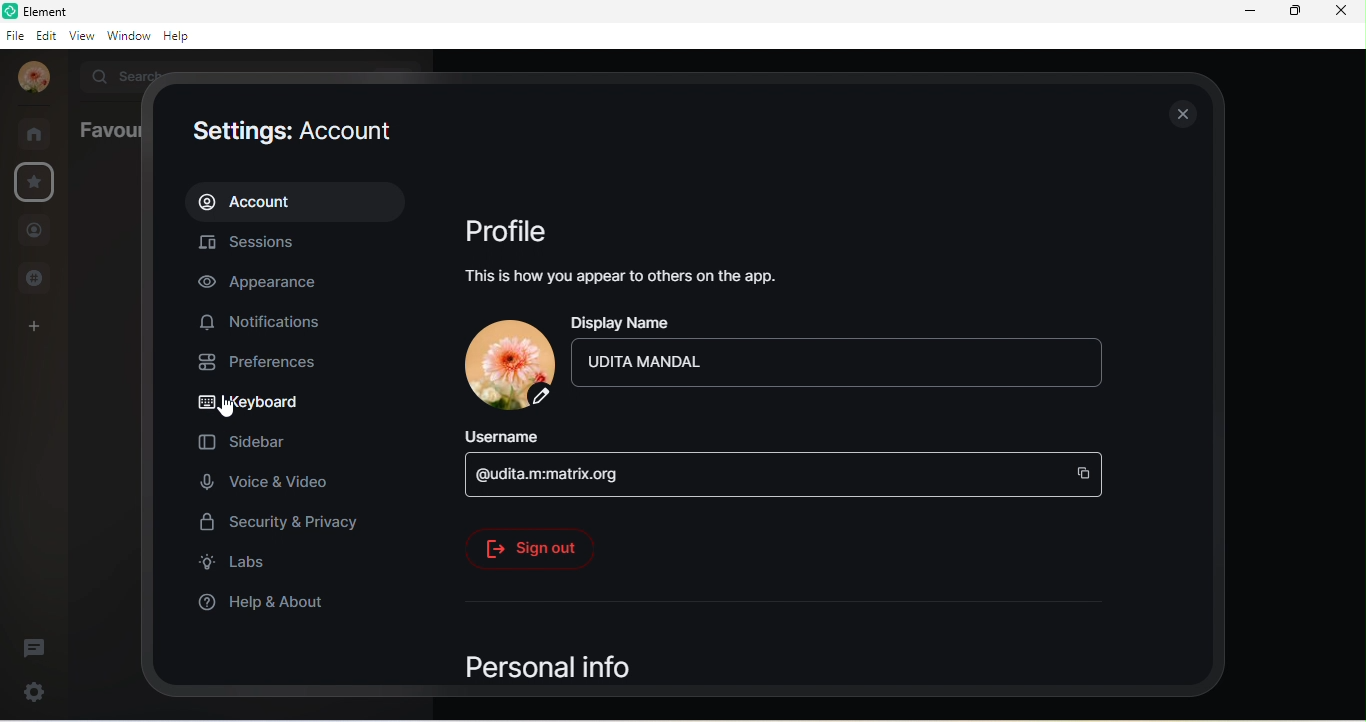 This screenshot has height=722, width=1366. I want to click on sidebar, so click(241, 443).